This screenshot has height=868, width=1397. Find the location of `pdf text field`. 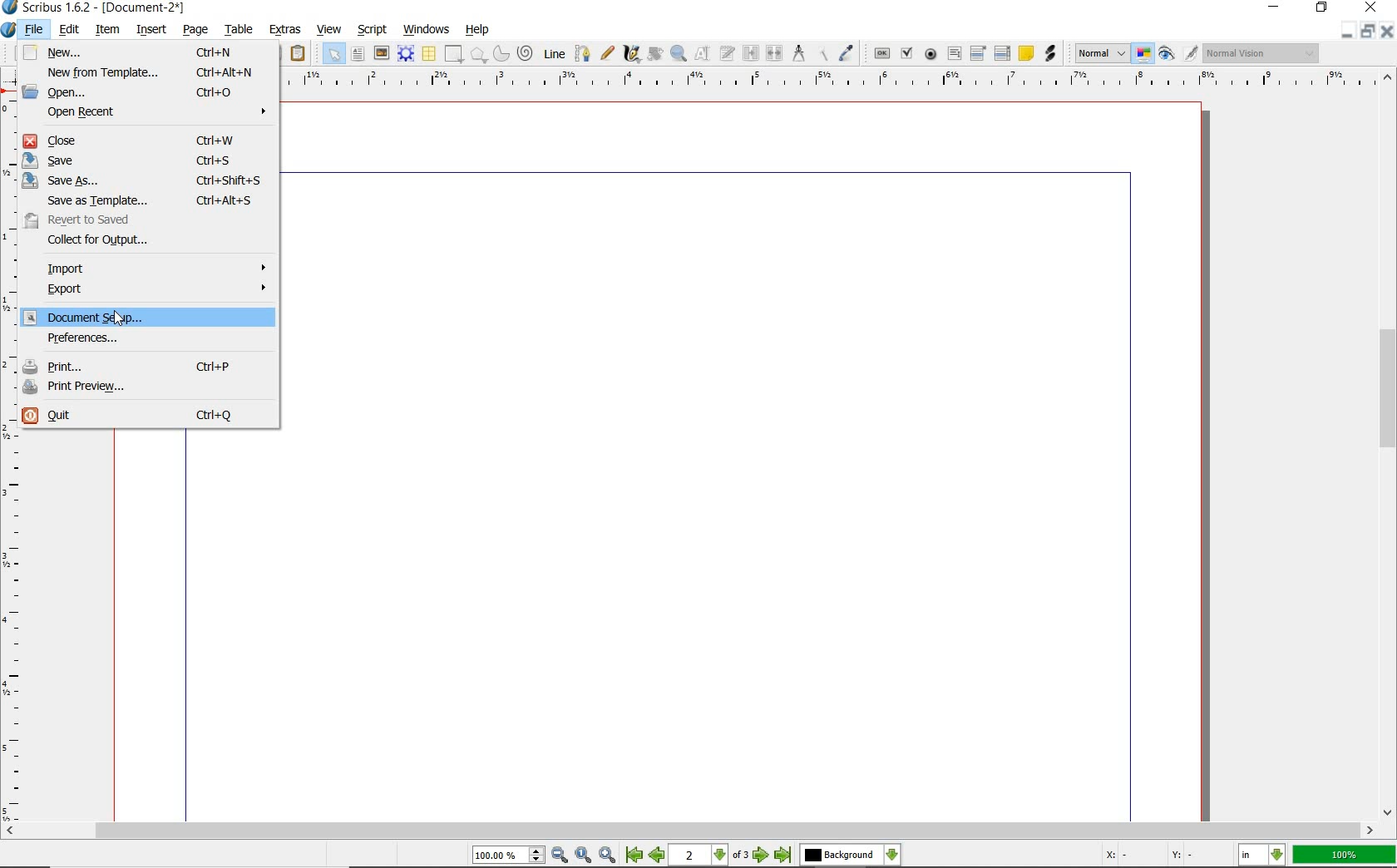

pdf text field is located at coordinates (954, 53).